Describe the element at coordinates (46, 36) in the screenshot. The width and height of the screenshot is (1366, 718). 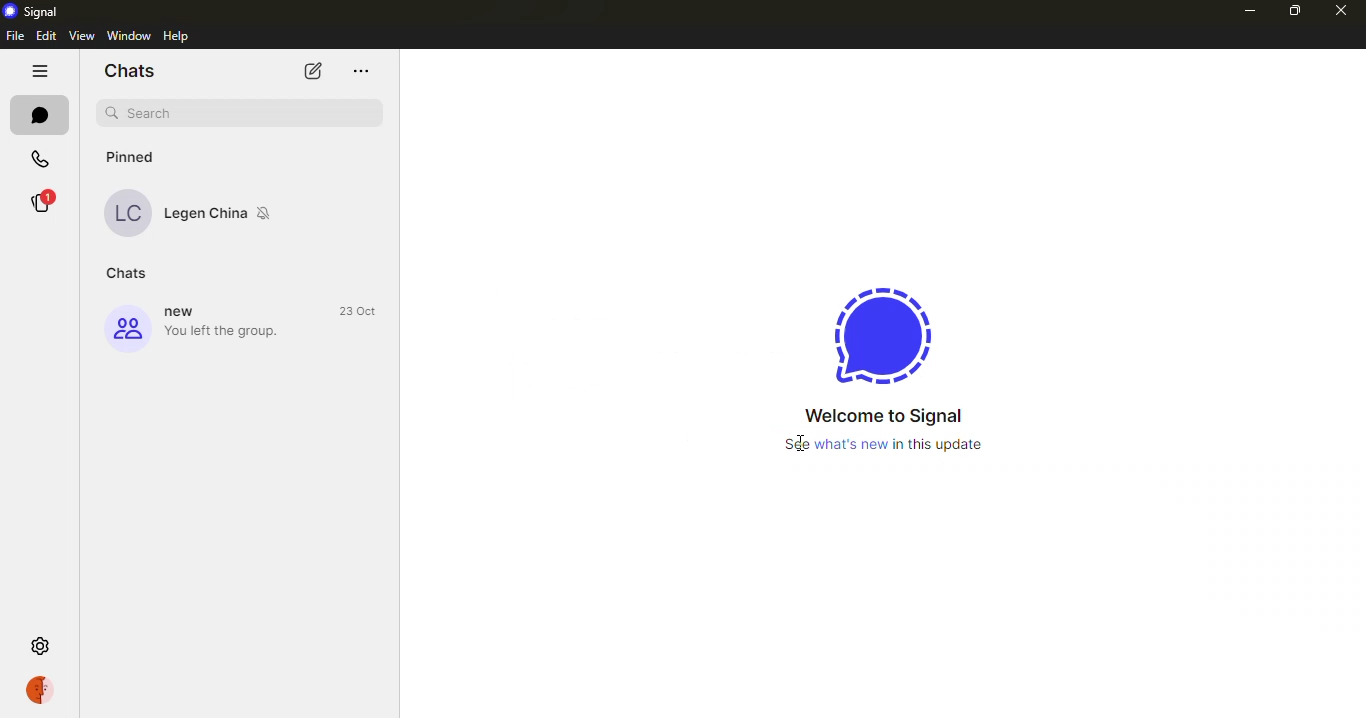
I see `edit` at that location.